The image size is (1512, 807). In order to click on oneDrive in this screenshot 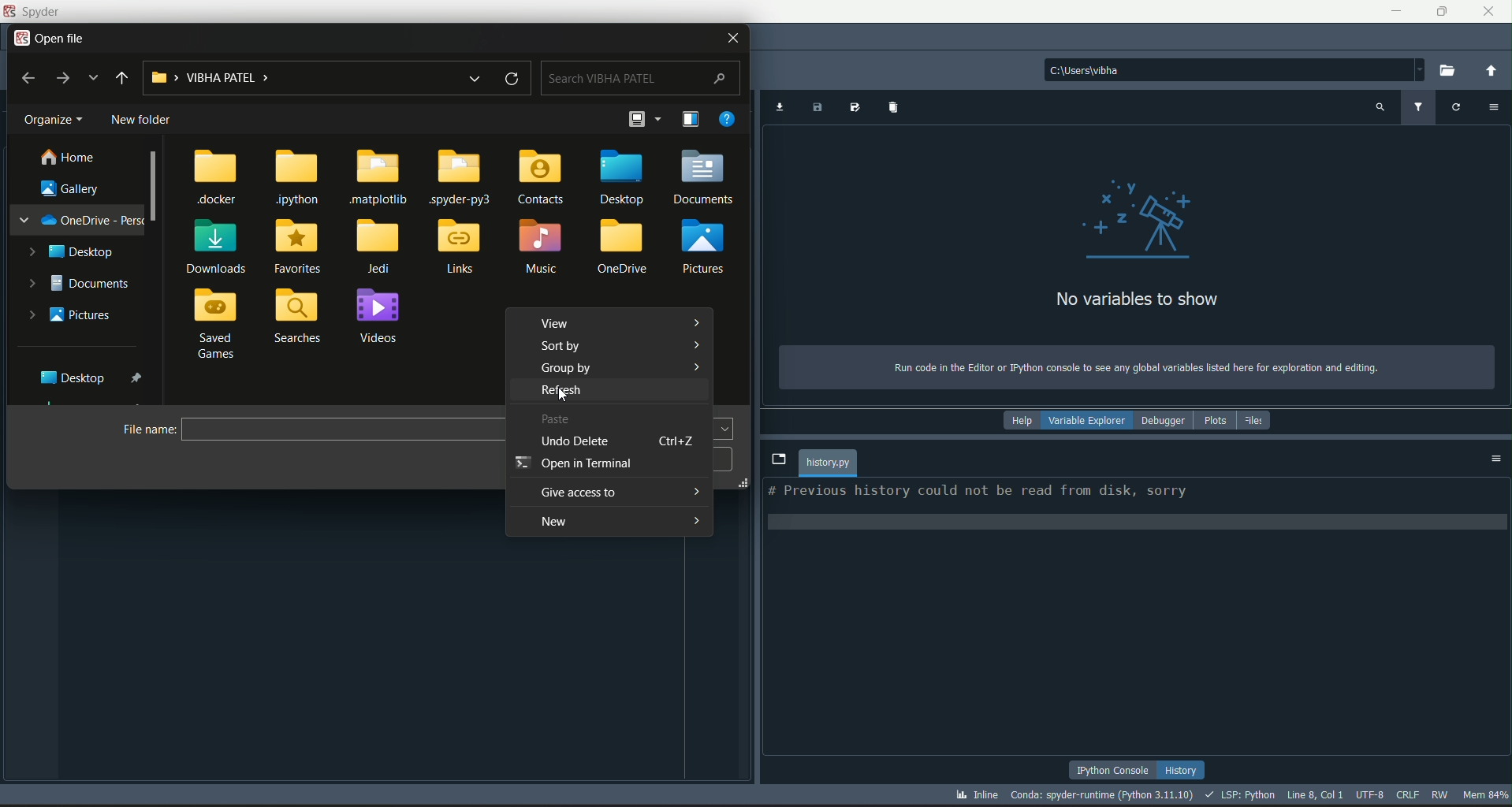, I will do `click(626, 248)`.